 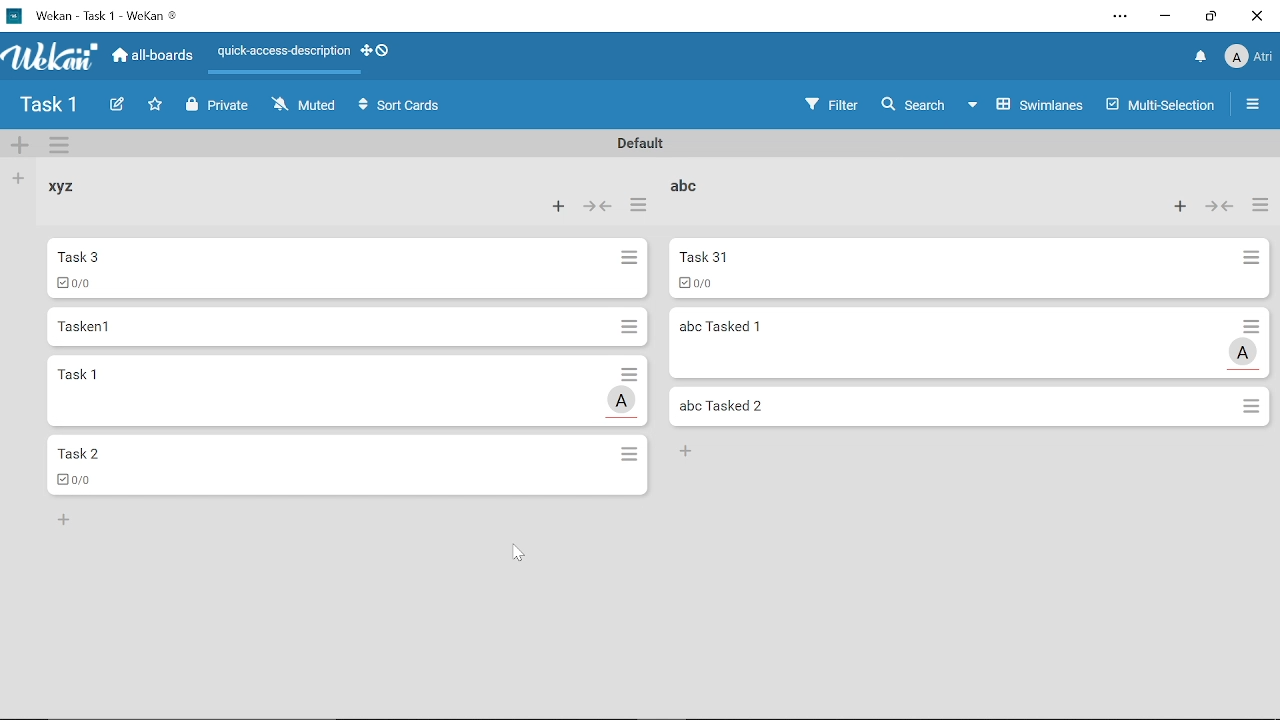 I want to click on Xyz, so click(x=63, y=188).